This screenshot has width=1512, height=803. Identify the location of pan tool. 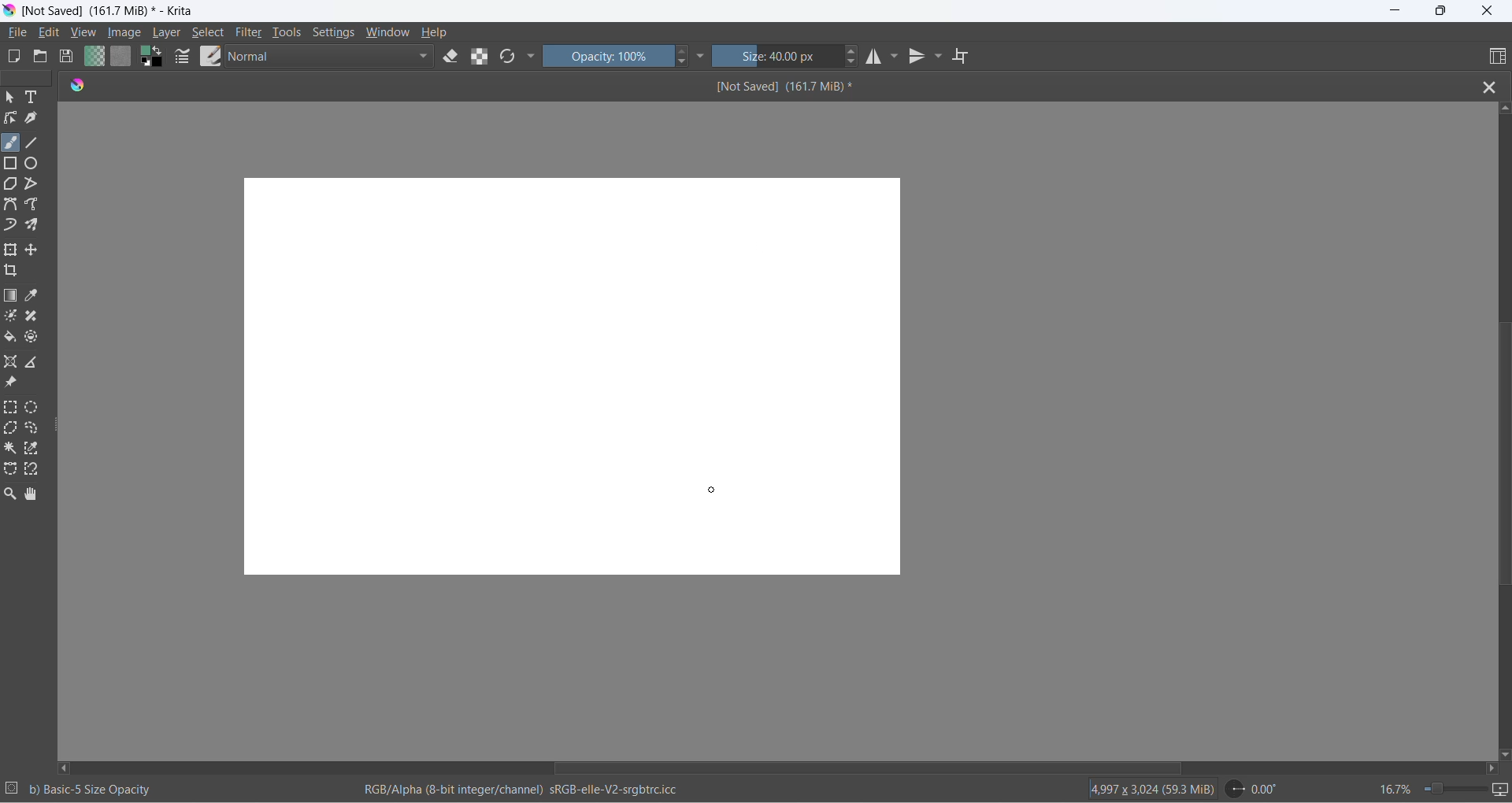
(31, 495).